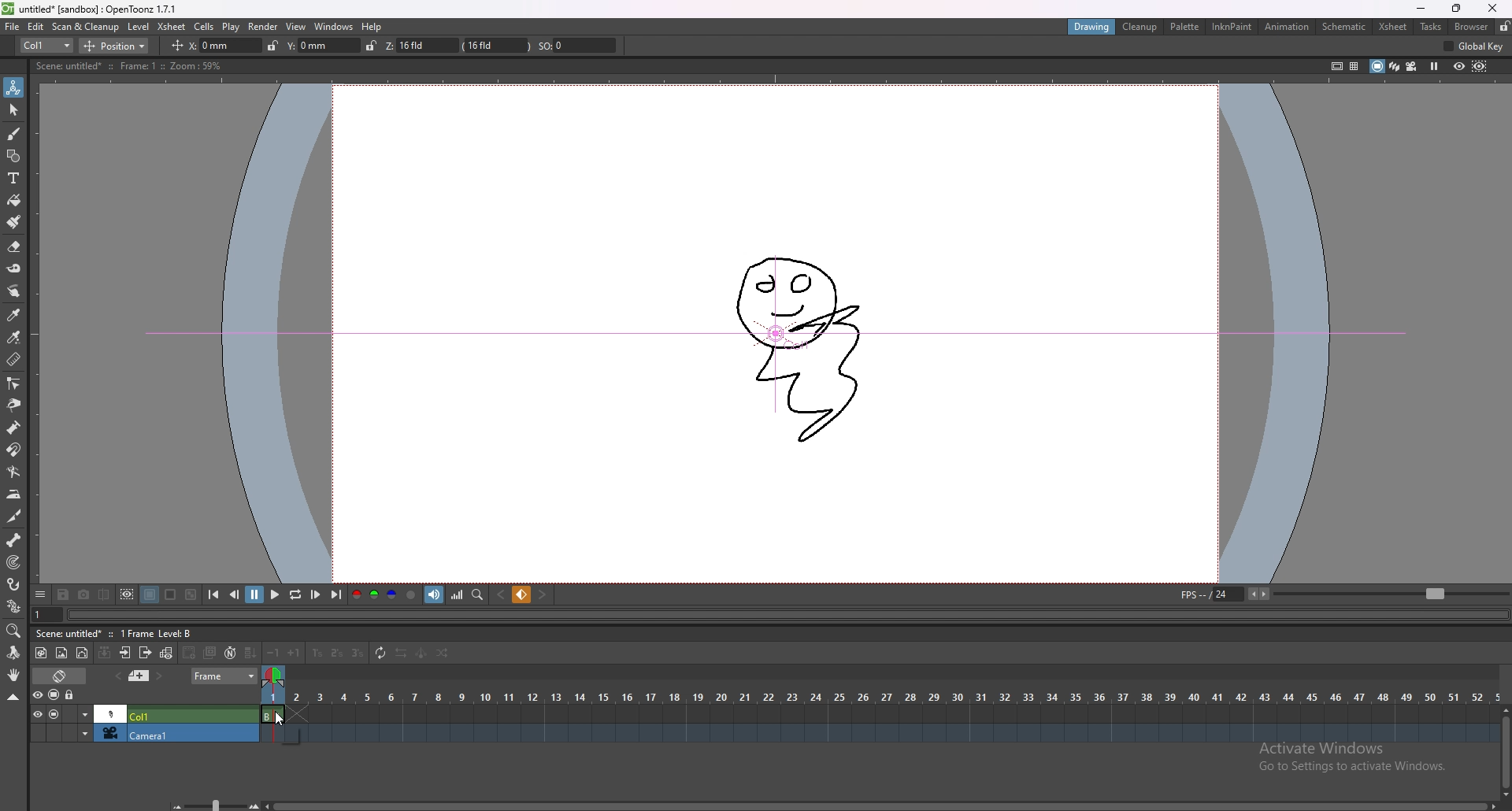  What do you see at coordinates (1478, 47) in the screenshot?
I see `Config` at bounding box center [1478, 47].